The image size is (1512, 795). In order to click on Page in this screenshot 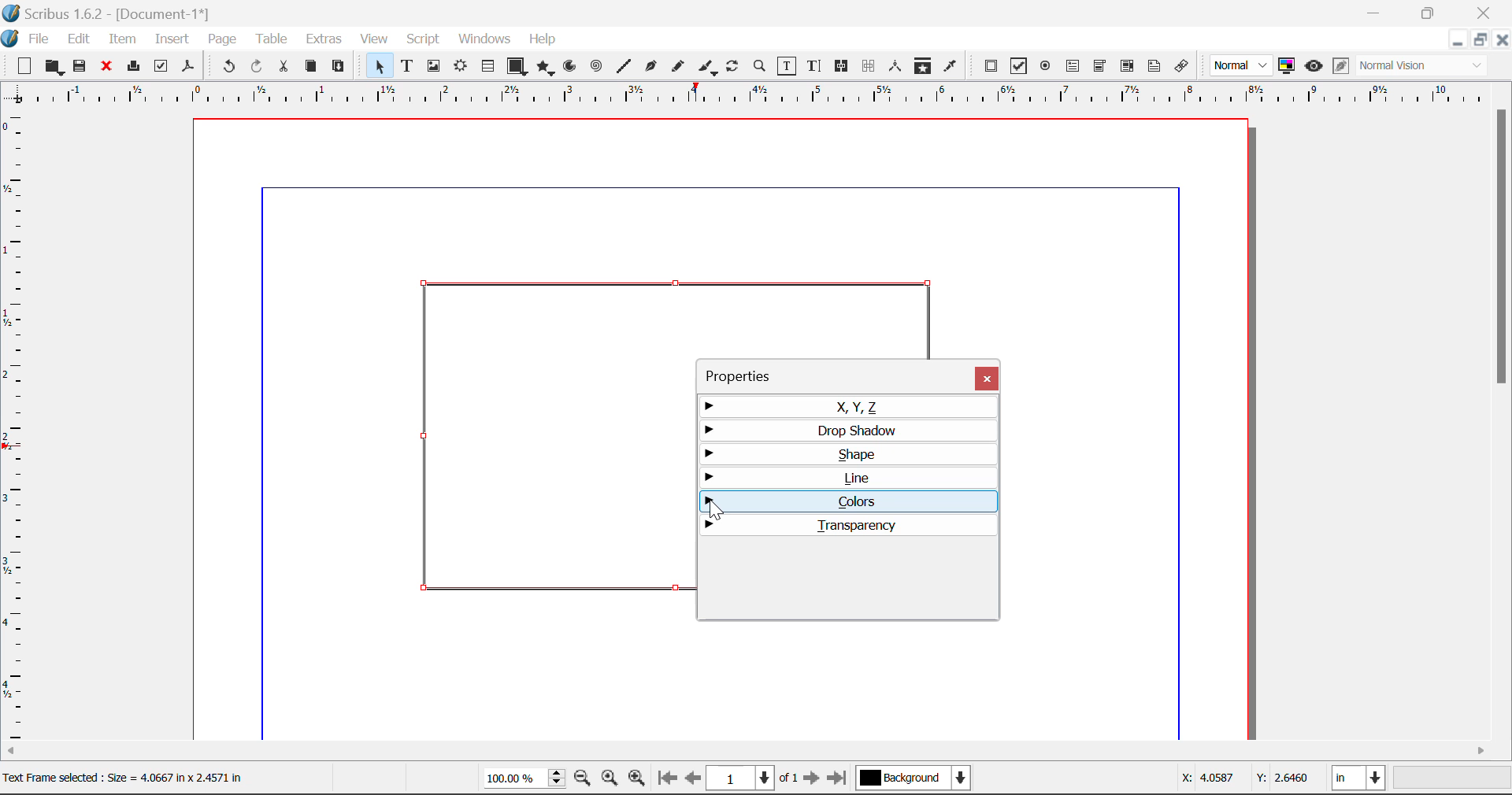, I will do `click(221, 39)`.